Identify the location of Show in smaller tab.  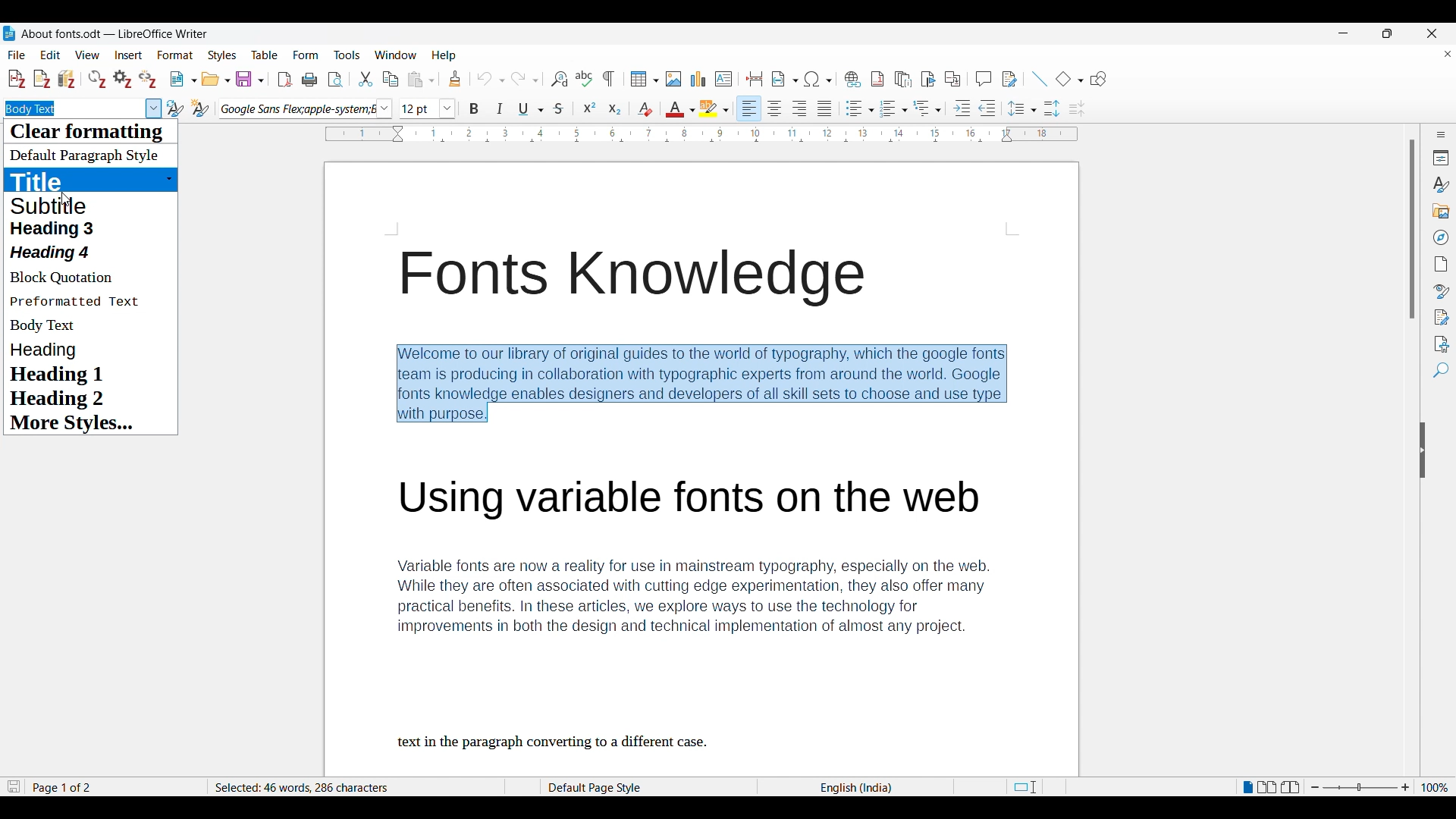
(1388, 33).